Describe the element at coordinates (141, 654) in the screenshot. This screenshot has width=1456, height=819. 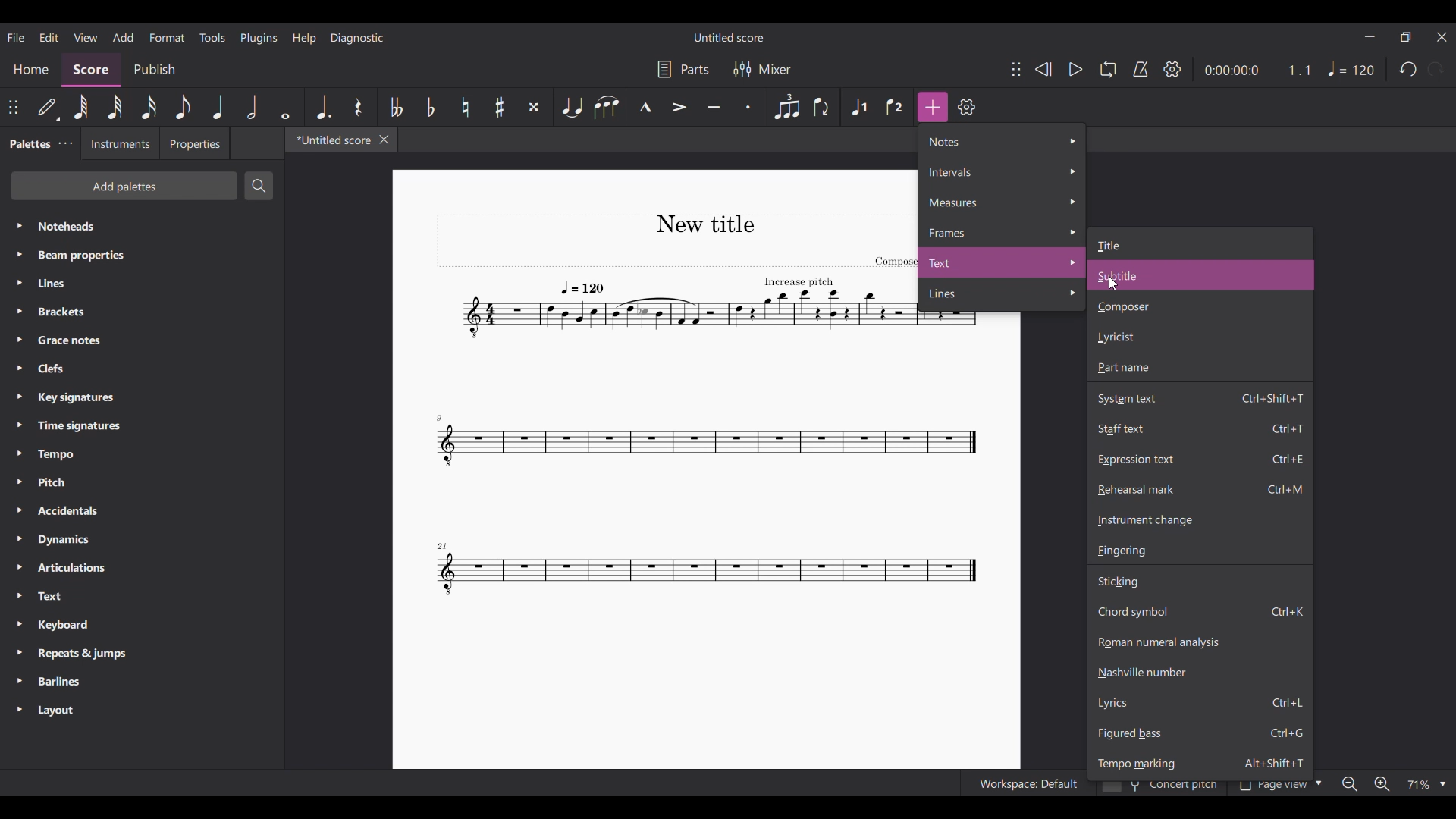
I see `Repeats & jumps` at that location.